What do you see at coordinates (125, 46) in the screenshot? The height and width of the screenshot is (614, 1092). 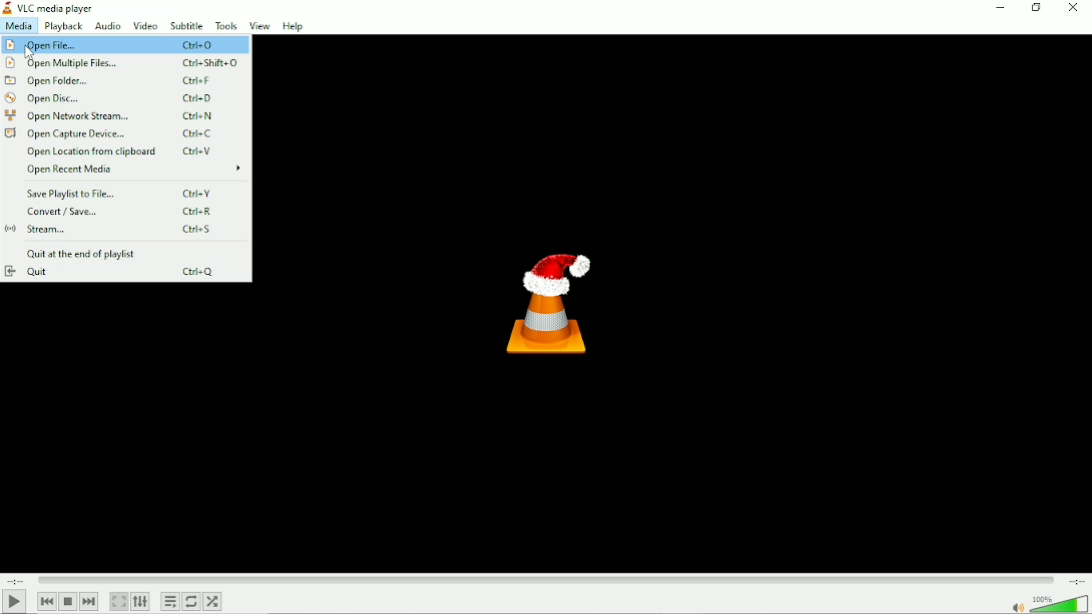 I see `Open file` at bounding box center [125, 46].